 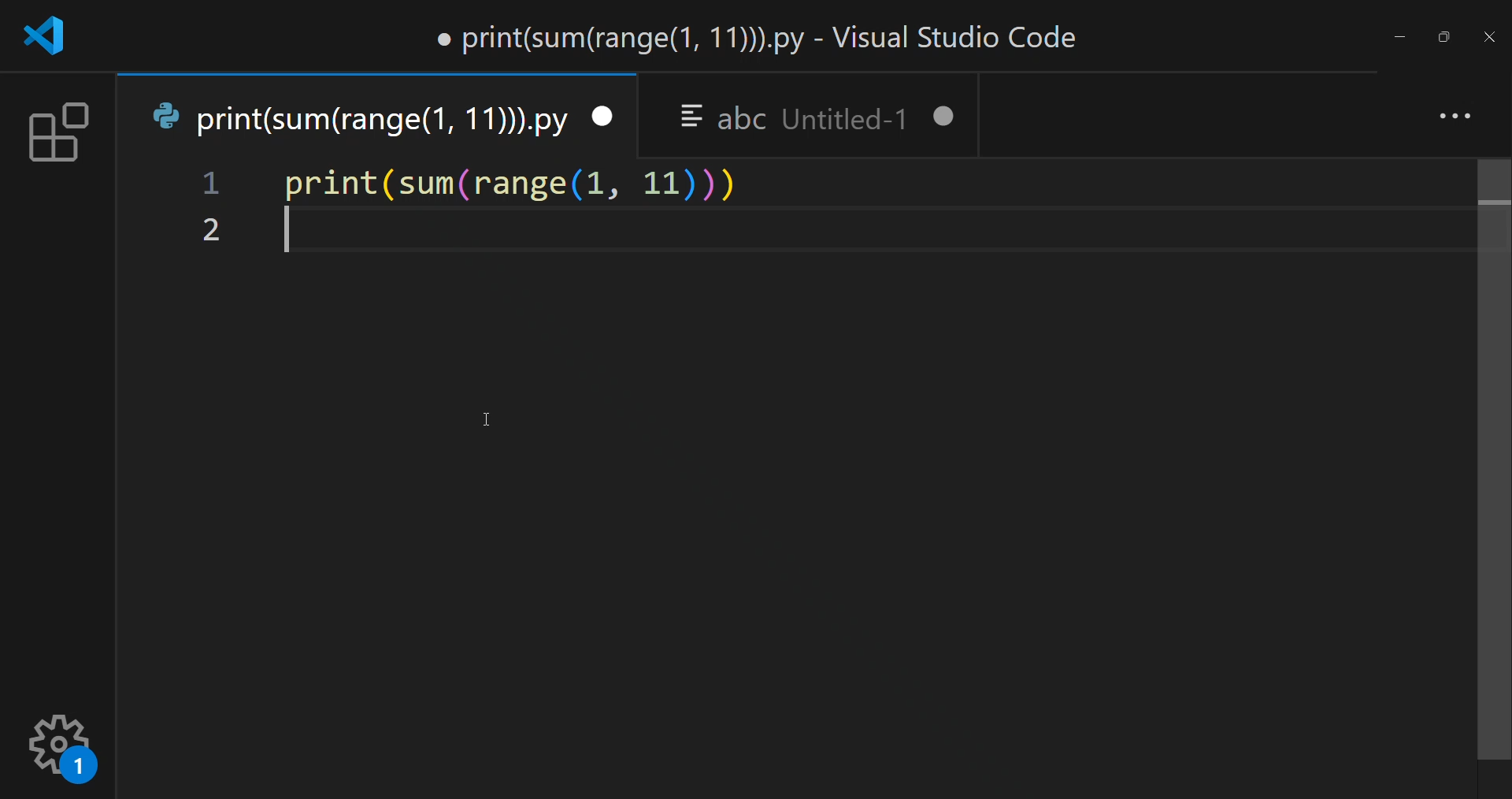 What do you see at coordinates (47, 38) in the screenshot?
I see `logo` at bounding box center [47, 38].